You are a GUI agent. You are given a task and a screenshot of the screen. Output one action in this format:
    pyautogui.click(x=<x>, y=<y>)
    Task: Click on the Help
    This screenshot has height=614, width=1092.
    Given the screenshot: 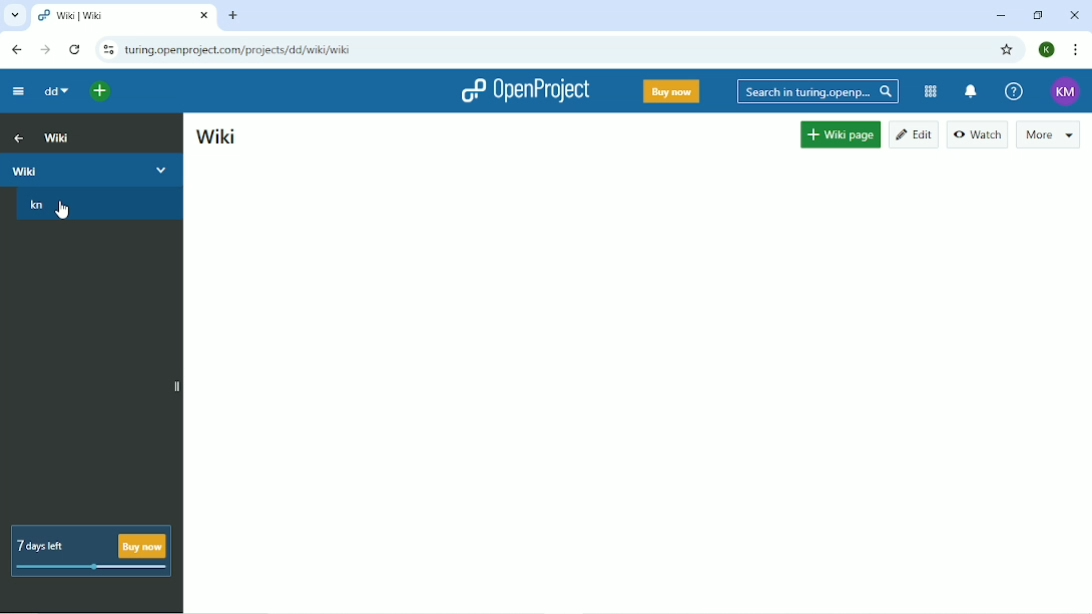 What is the action you would take?
    pyautogui.click(x=1015, y=90)
    